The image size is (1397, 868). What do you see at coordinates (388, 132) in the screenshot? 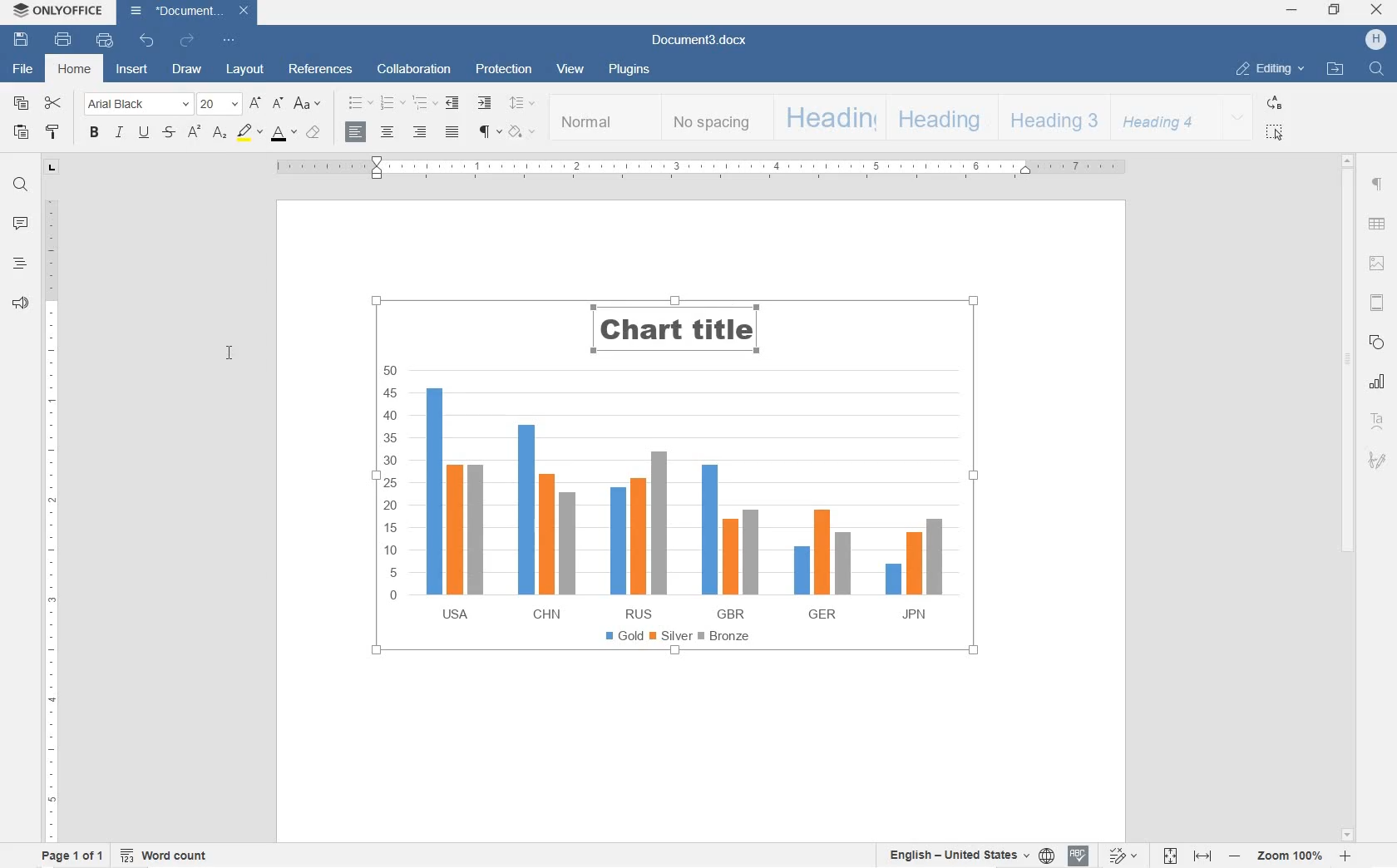
I see `CENTER ALIGN` at bounding box center [388, 132].